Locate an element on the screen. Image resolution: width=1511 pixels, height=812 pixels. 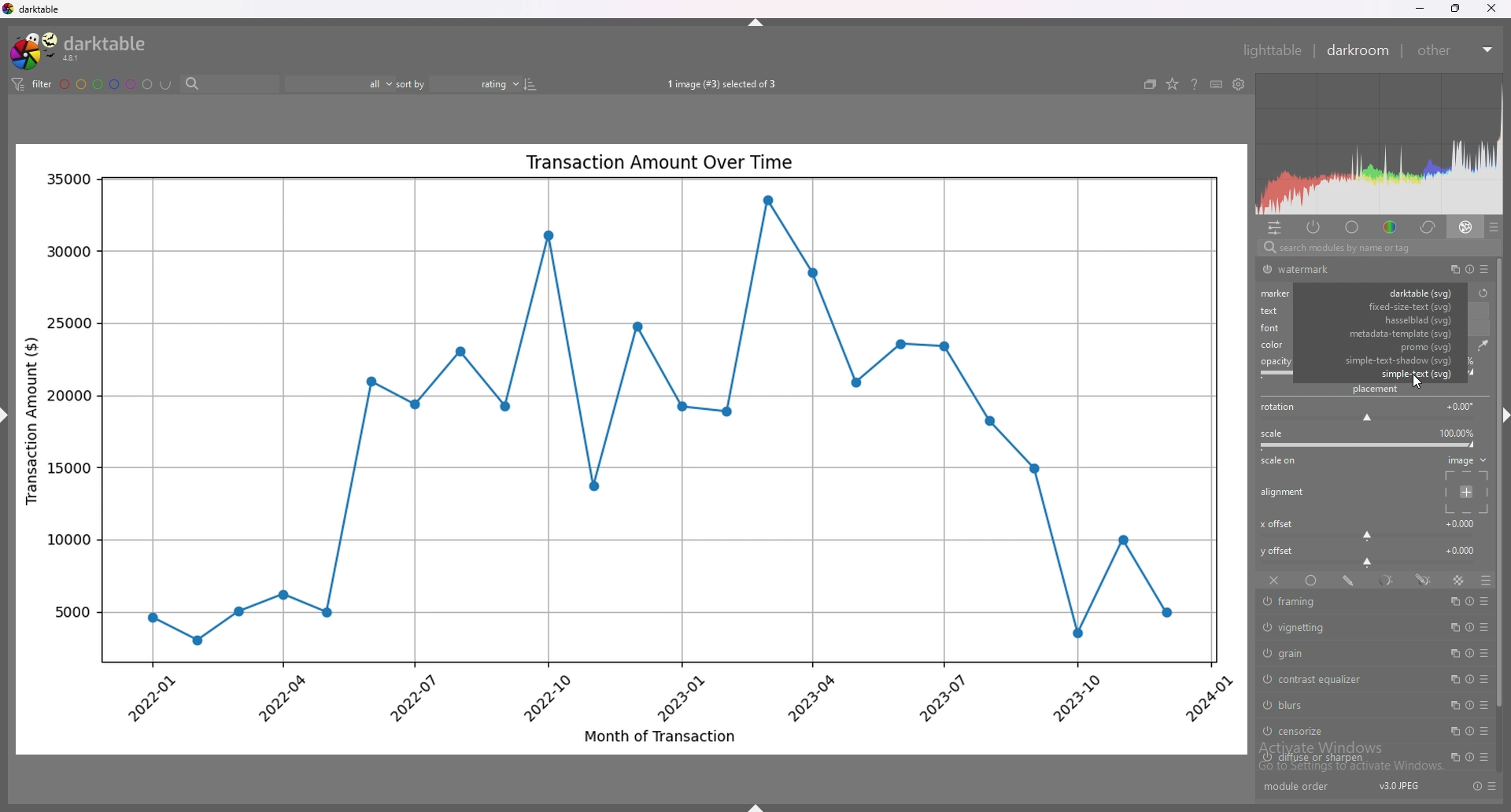
reset is located at coordinates (1483, 293).